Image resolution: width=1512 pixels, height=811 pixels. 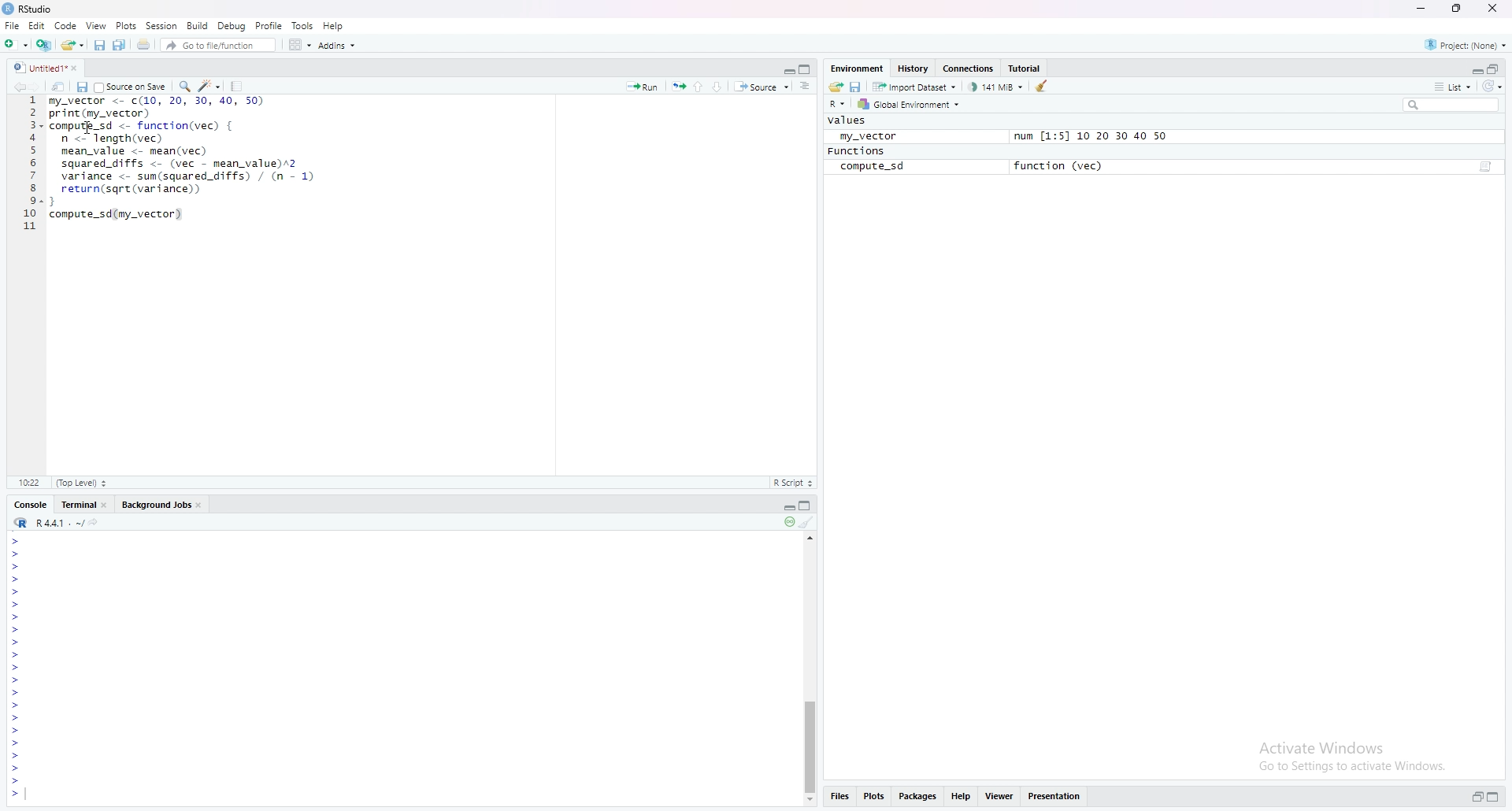 What do you see at coordinates (1476, 70) in the screenshot?
I see `Minimize` at bounding box center [1476, 70].